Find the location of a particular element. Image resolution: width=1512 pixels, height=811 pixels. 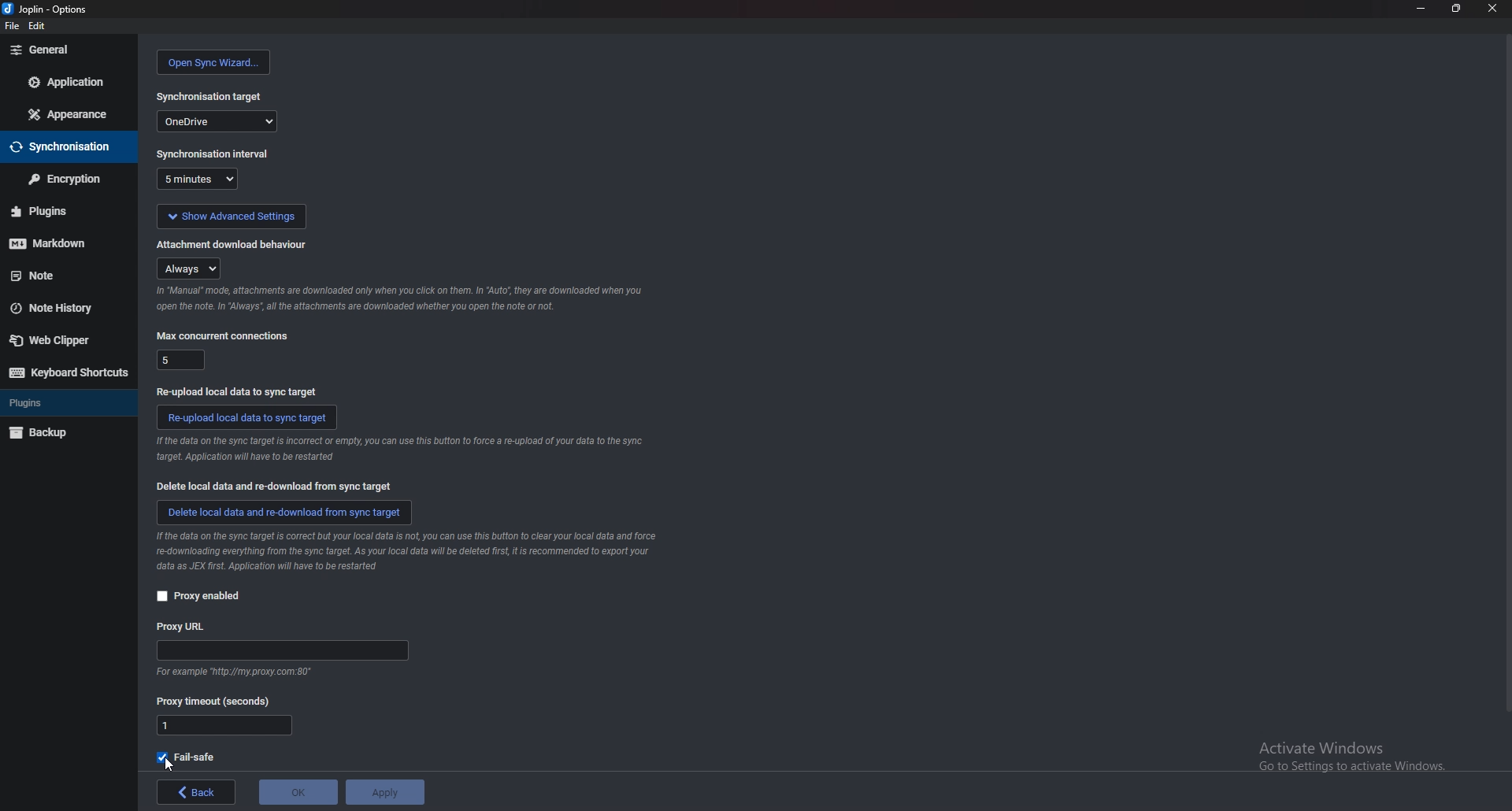

sync interval is located at coordinates (212, 154).